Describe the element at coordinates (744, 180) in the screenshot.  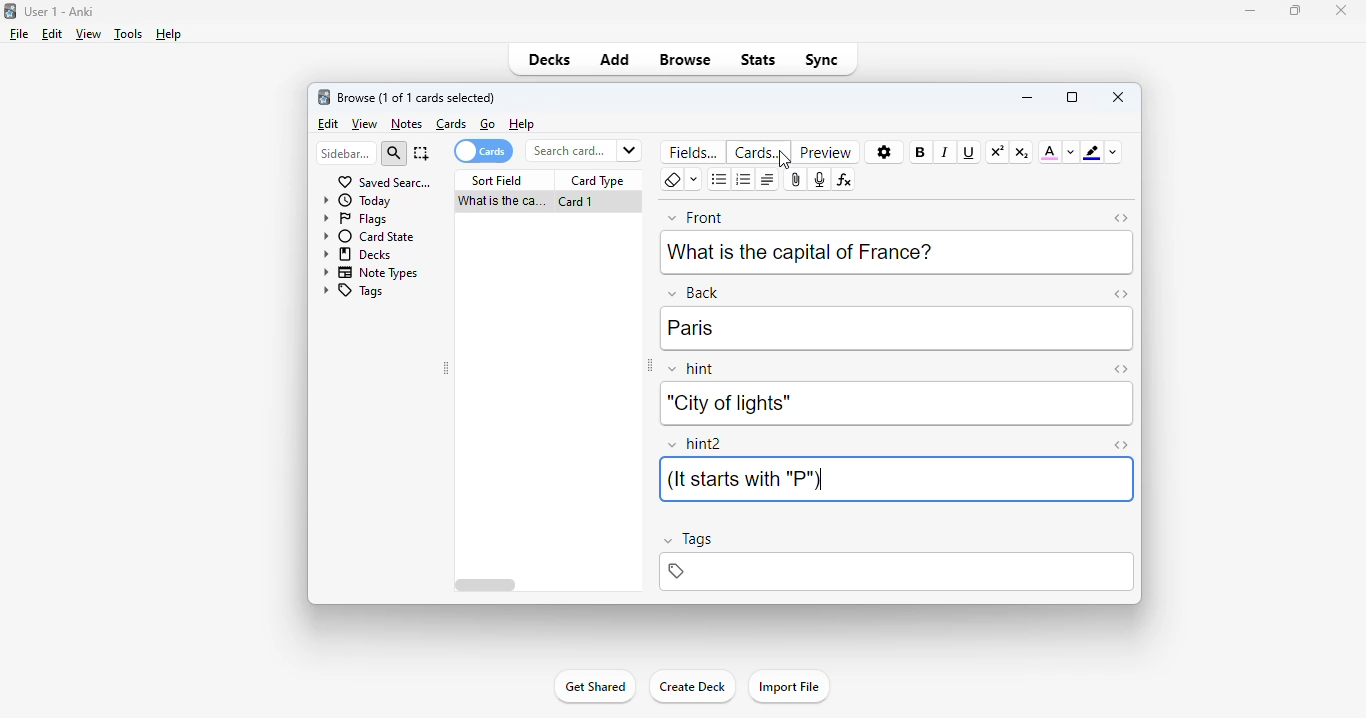
I see `ordered list` at that location.